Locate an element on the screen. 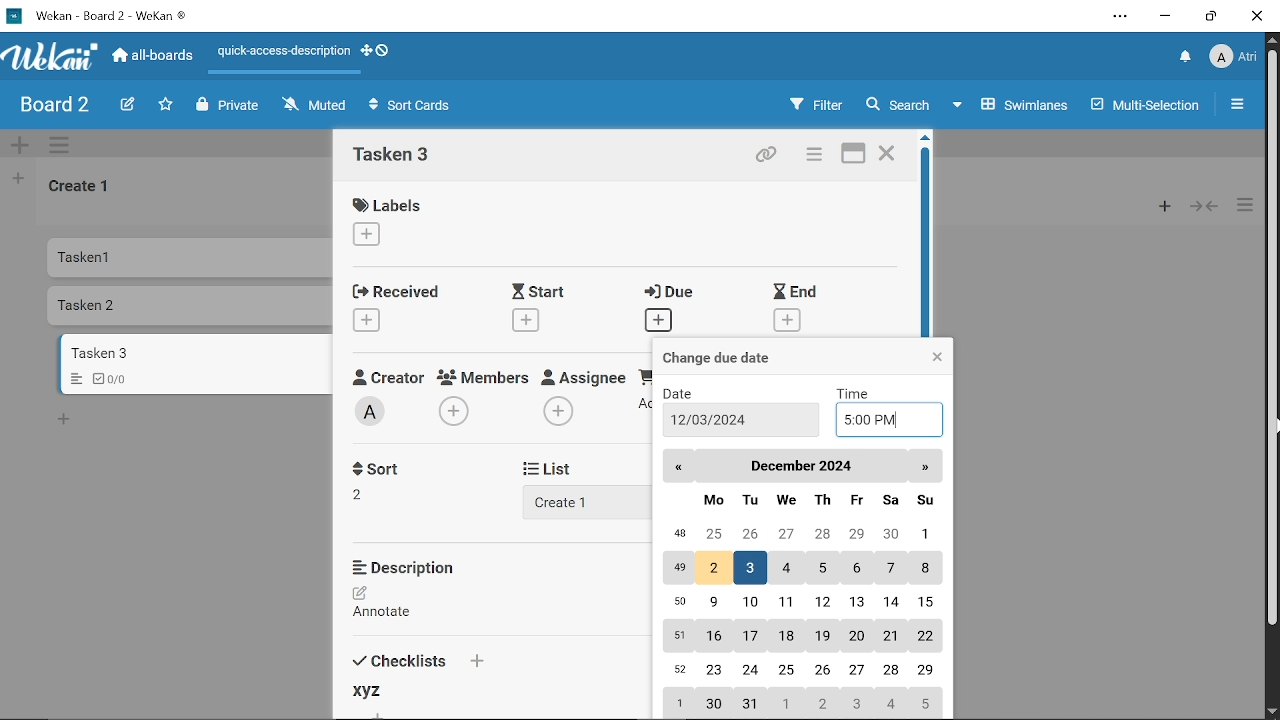 The width and height of the screenshot is (1280, 720). Current board is located at coordinates (52, 106).